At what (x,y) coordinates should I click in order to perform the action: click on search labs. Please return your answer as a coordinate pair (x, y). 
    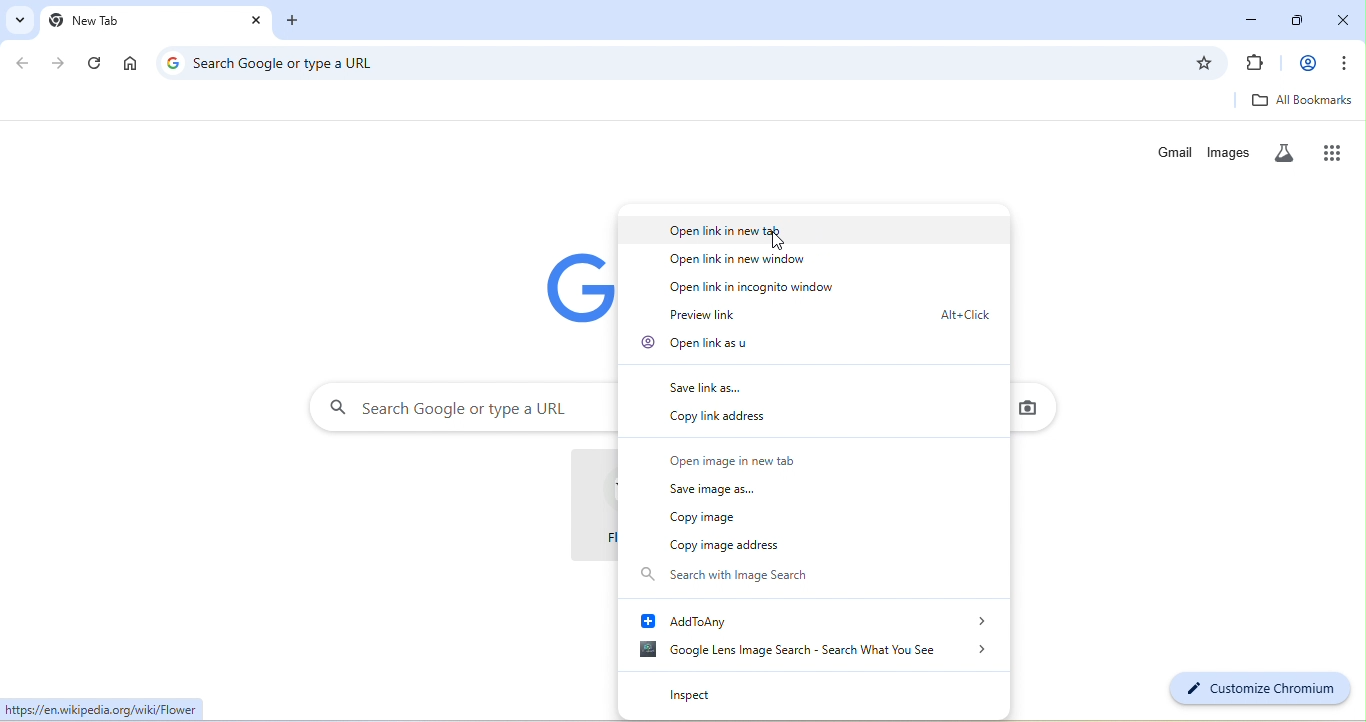
    Looking at the image, I should click on (1288, 152).